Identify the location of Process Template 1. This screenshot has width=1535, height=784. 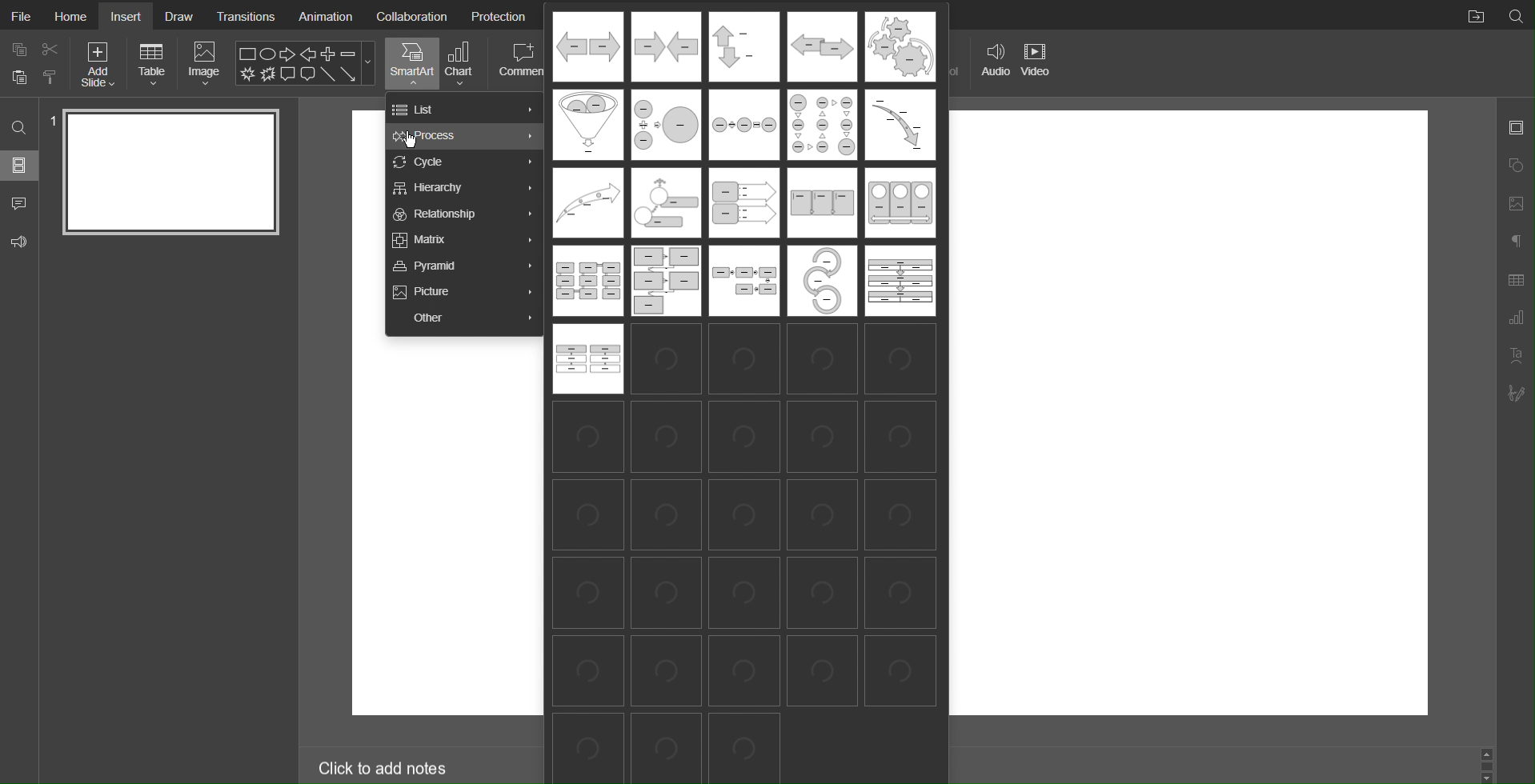
(587, 46).